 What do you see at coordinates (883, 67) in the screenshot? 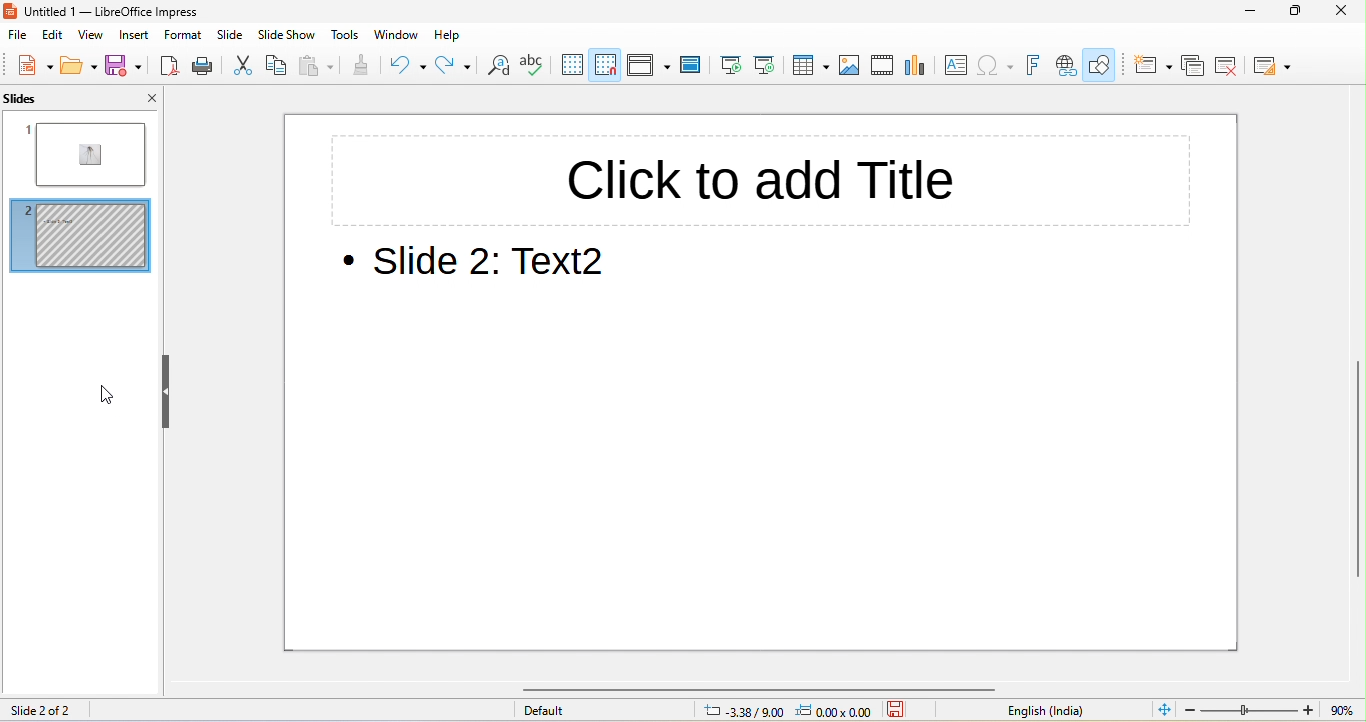
I see `video` at bounding box center [883, 67].